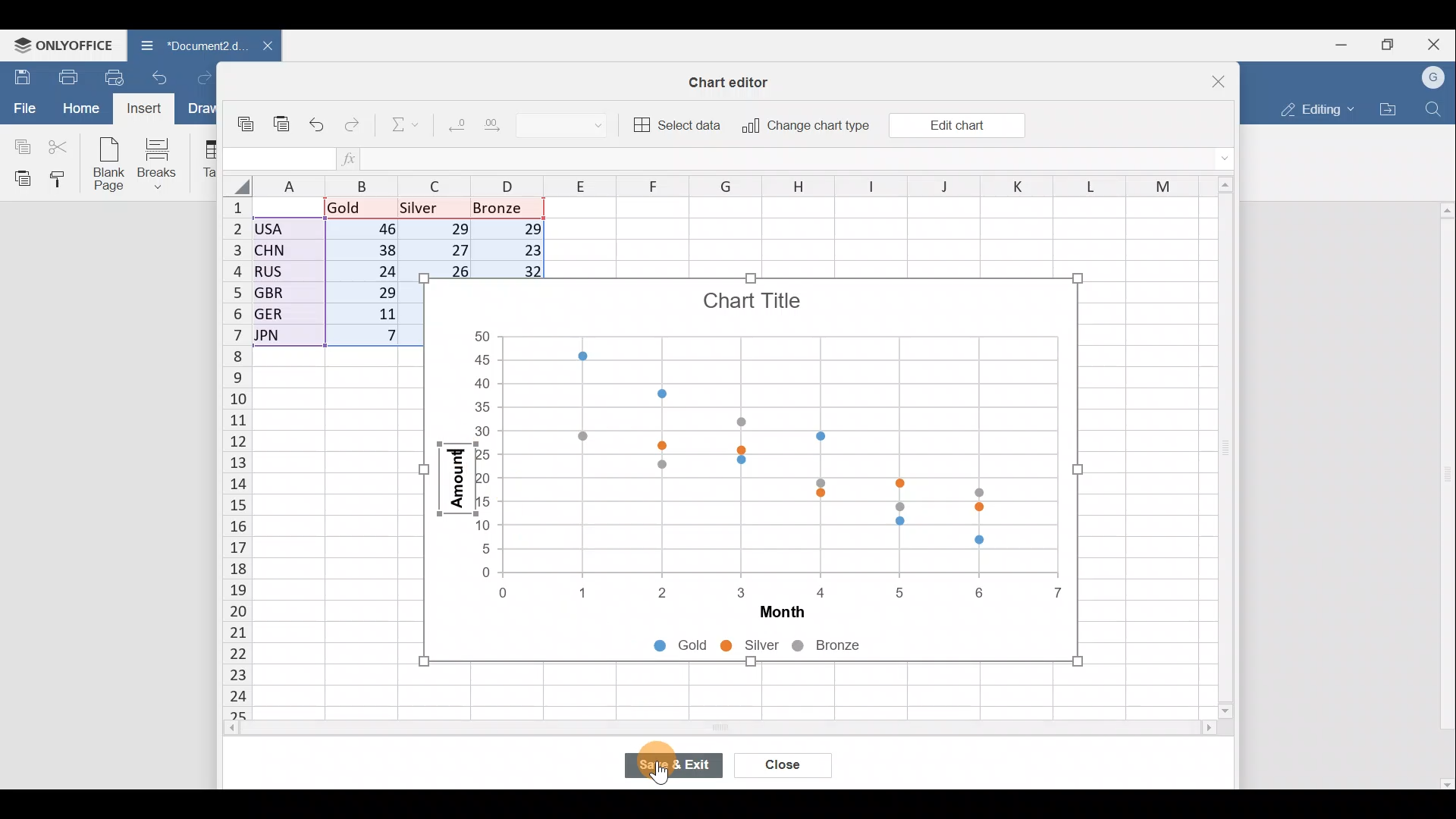  Describe the element at coordinates (19, 145) in the screenshot. I see `Copy` at that location.